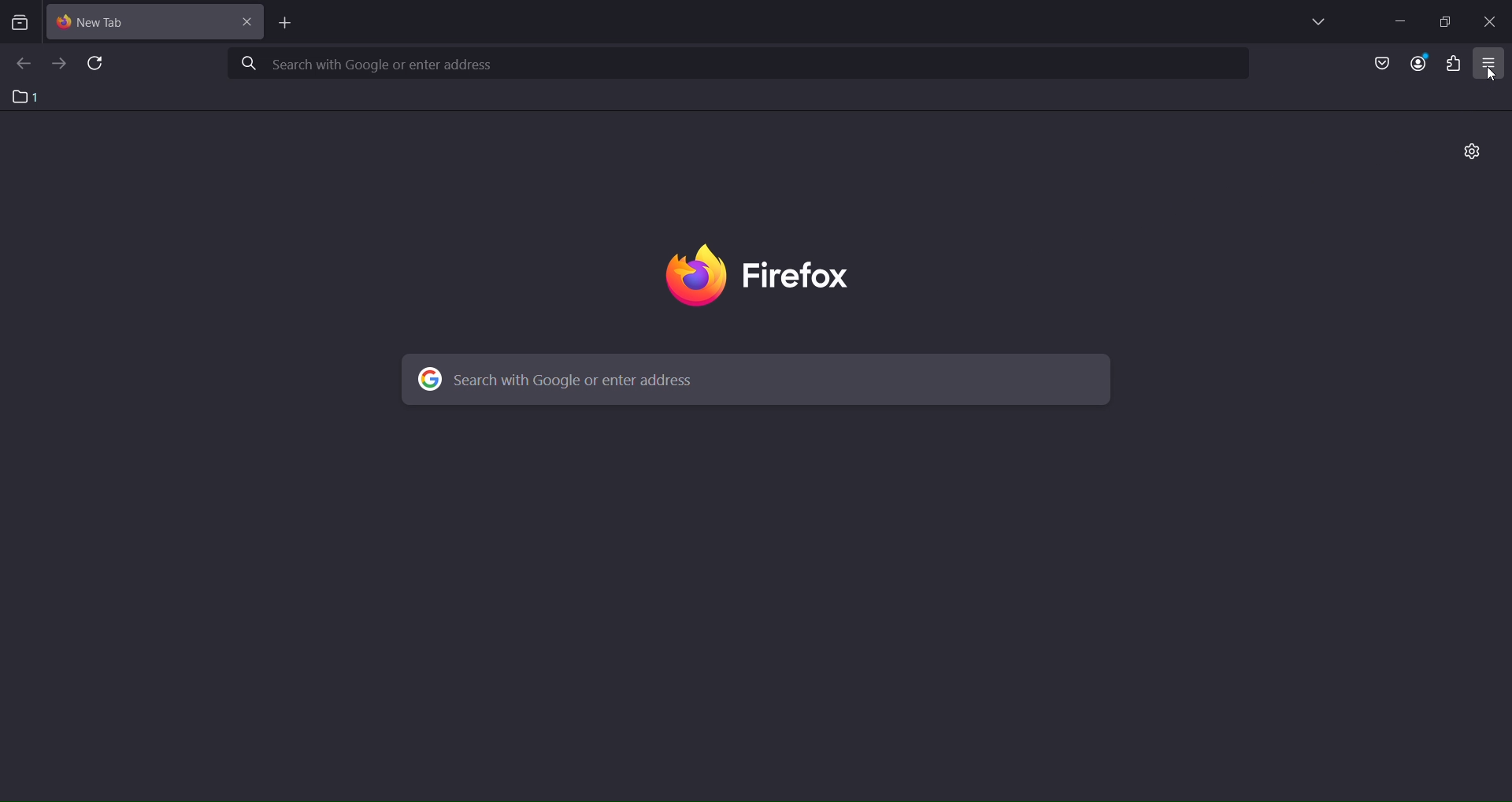  I want to click on Search with Google or enter address, so click(565, 375).